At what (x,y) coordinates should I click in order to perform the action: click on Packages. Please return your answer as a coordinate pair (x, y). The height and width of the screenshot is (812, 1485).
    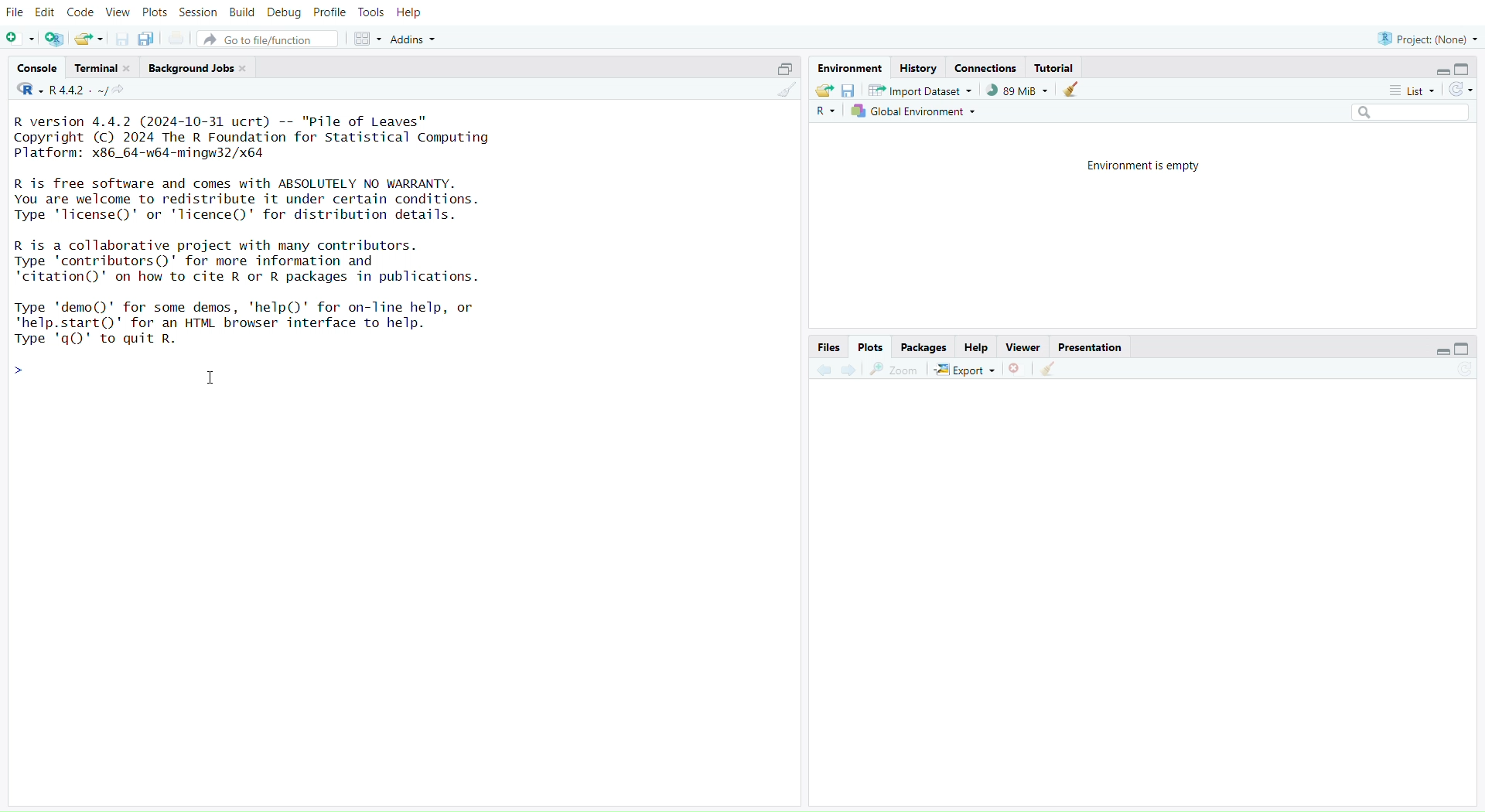
    Looking at the image, I should click on (925, 345).